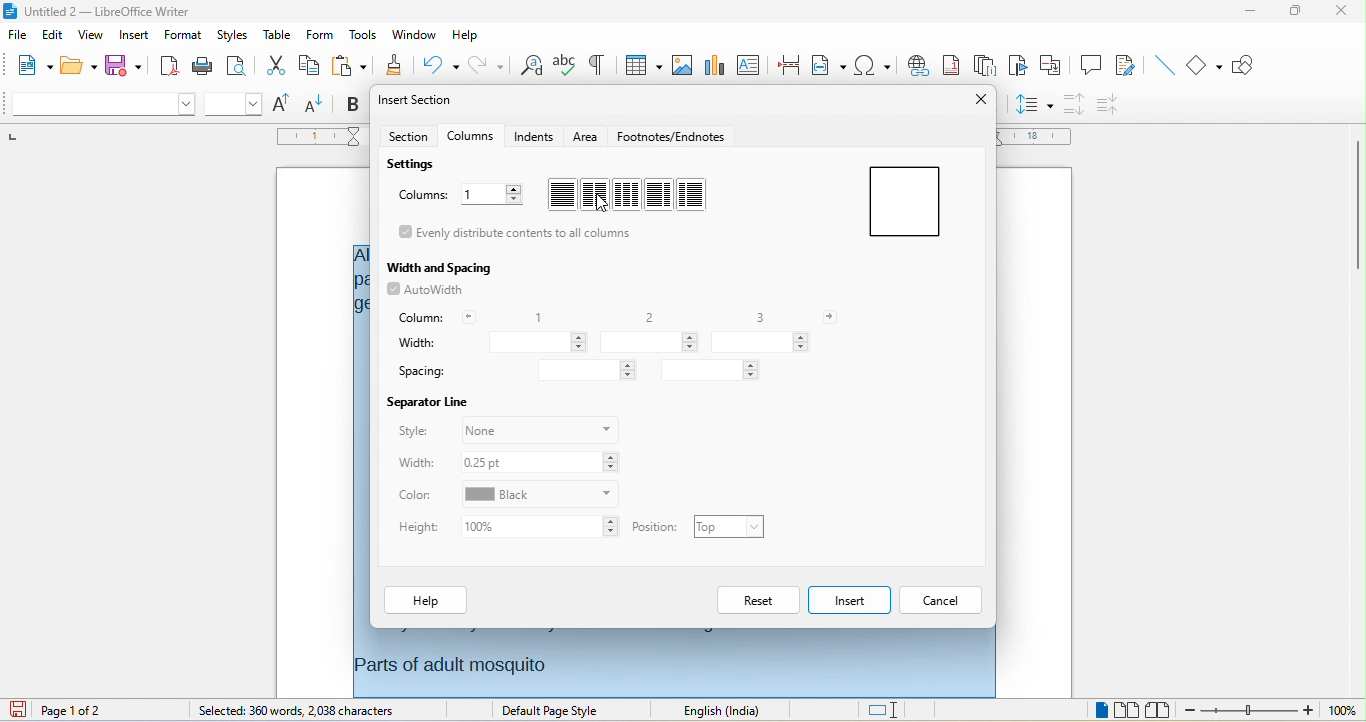 Image resolution: width=1366 pixels, height=722 pixels. Describe the element at coordinates (729, 527) in the screenshot. I see `set position` at that location.